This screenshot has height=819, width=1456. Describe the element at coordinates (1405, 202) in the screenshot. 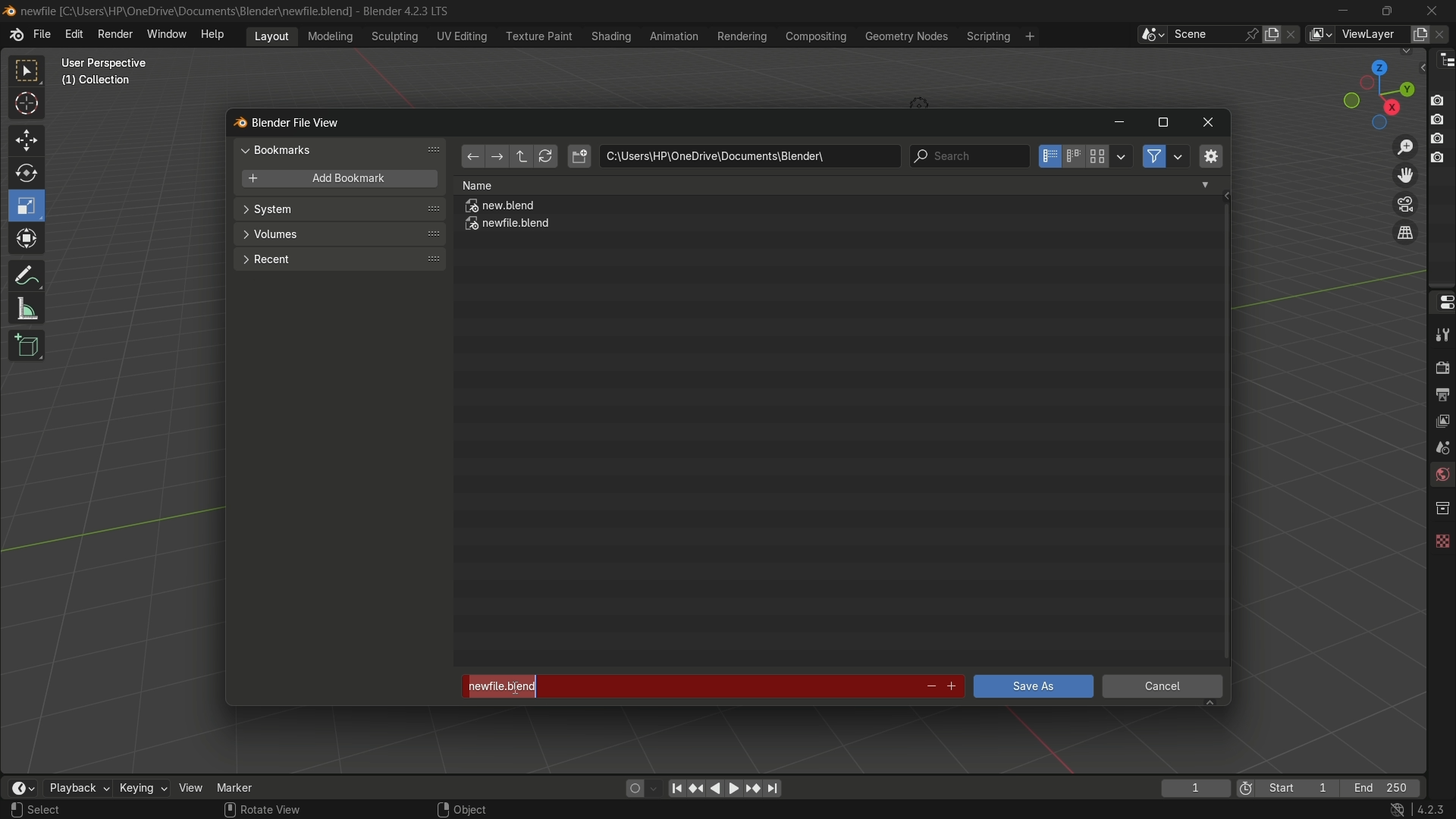

I see `toggle camera view layer` at that location.